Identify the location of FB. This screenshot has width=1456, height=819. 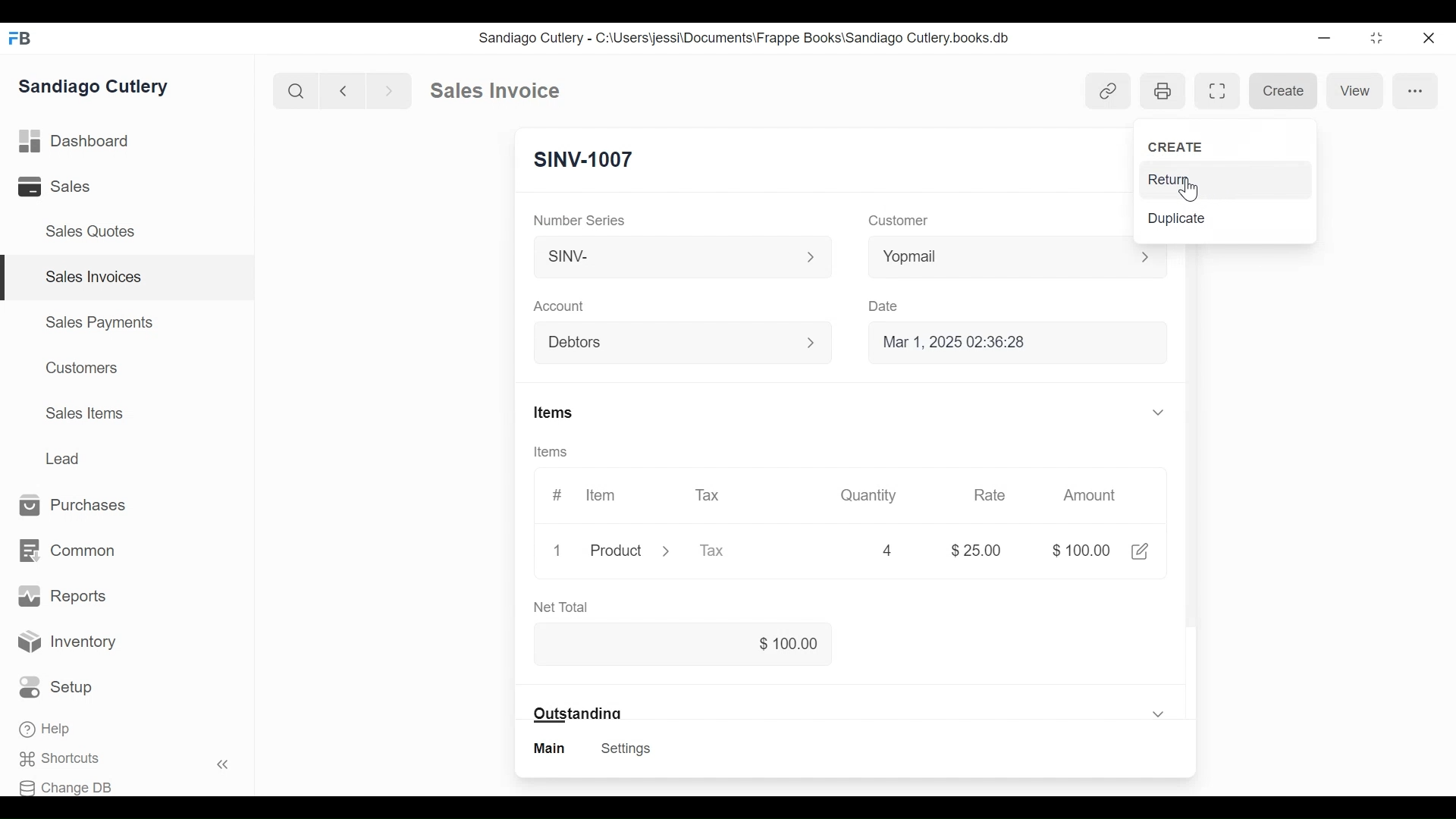
(23, 39).